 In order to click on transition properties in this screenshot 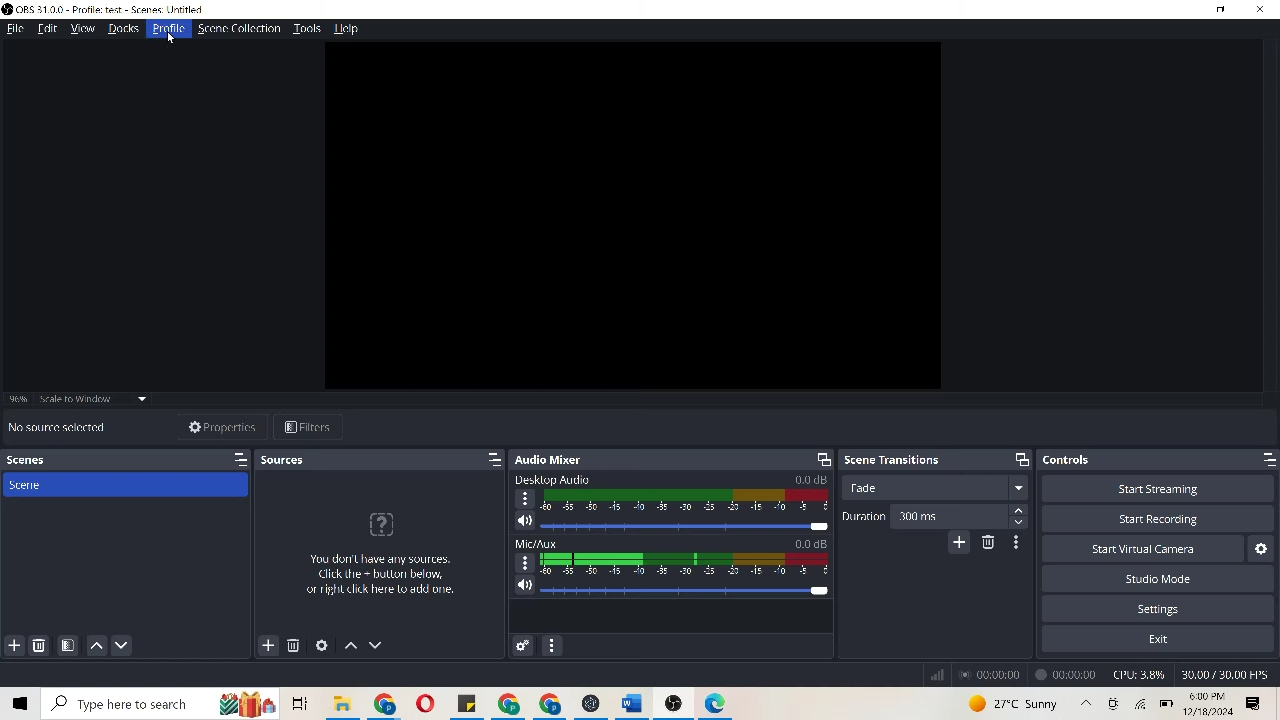, I will do `click(1013, 542)`.